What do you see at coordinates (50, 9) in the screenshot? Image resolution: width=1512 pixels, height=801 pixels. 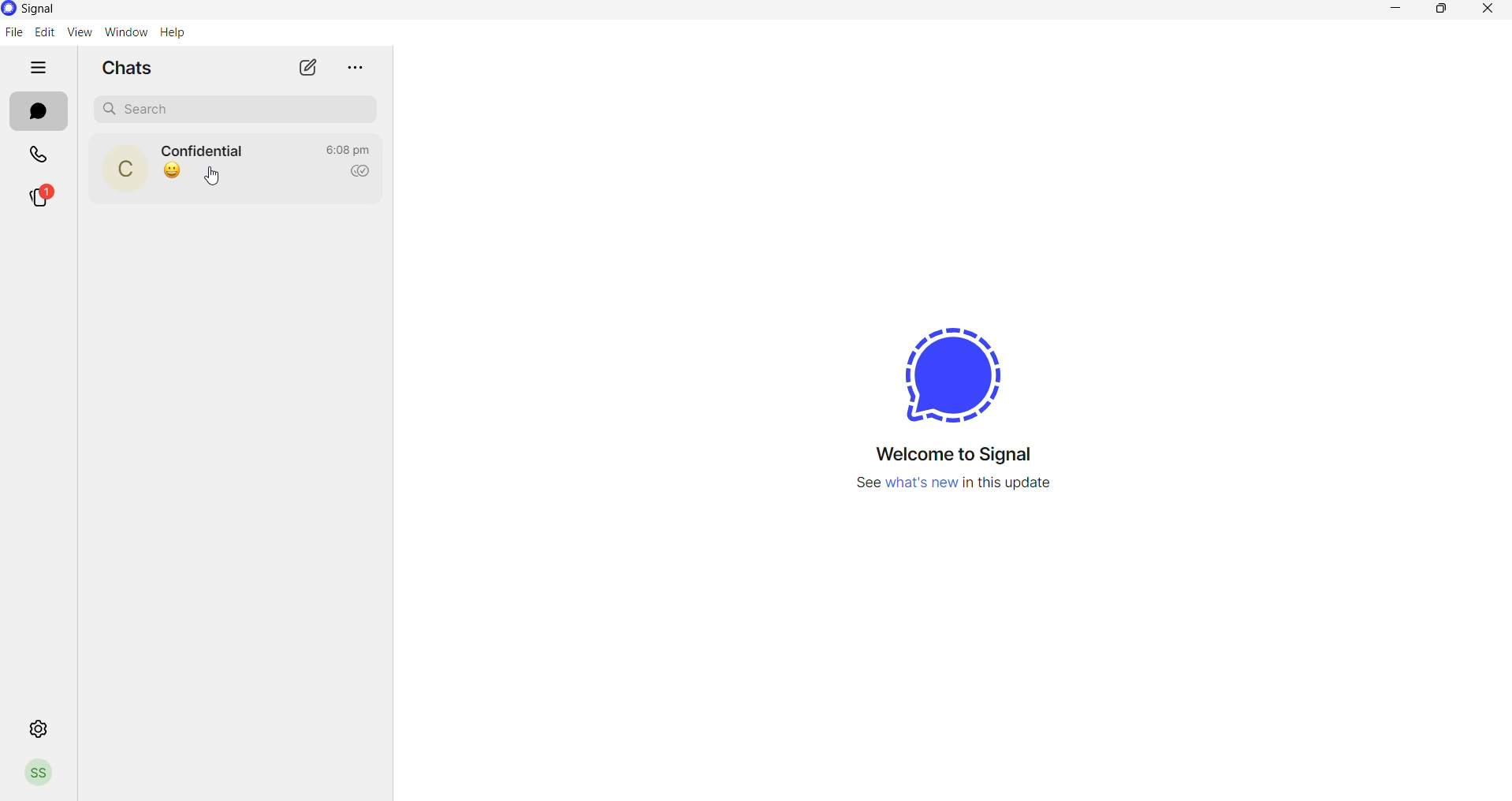 I see `application name and logo` at bounding box center [50, 9].